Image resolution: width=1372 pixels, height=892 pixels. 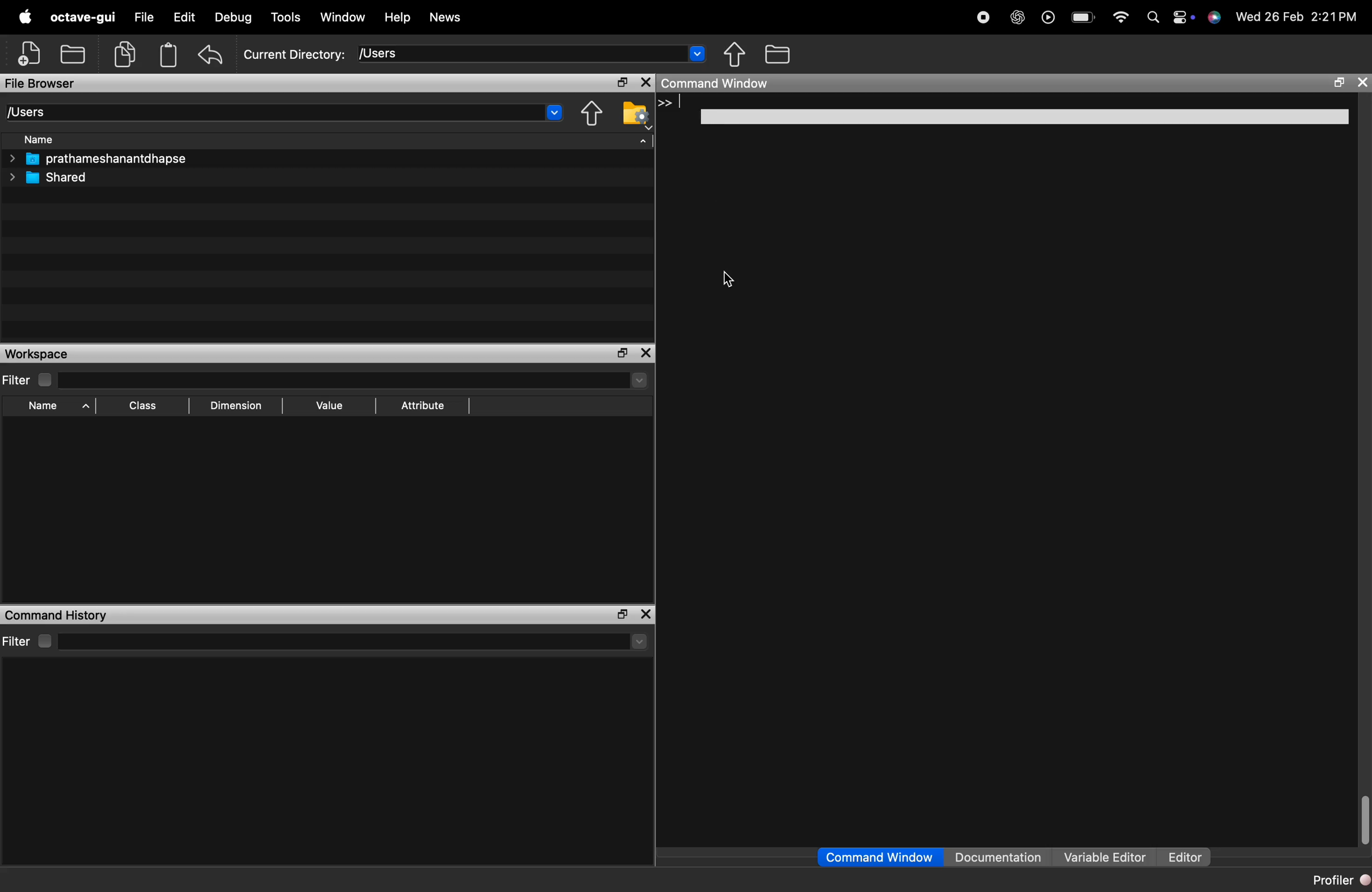 What do you see at coordinates (696, 54) in the screenshot?
I see `dropdown` at bounding box center [696, 54].